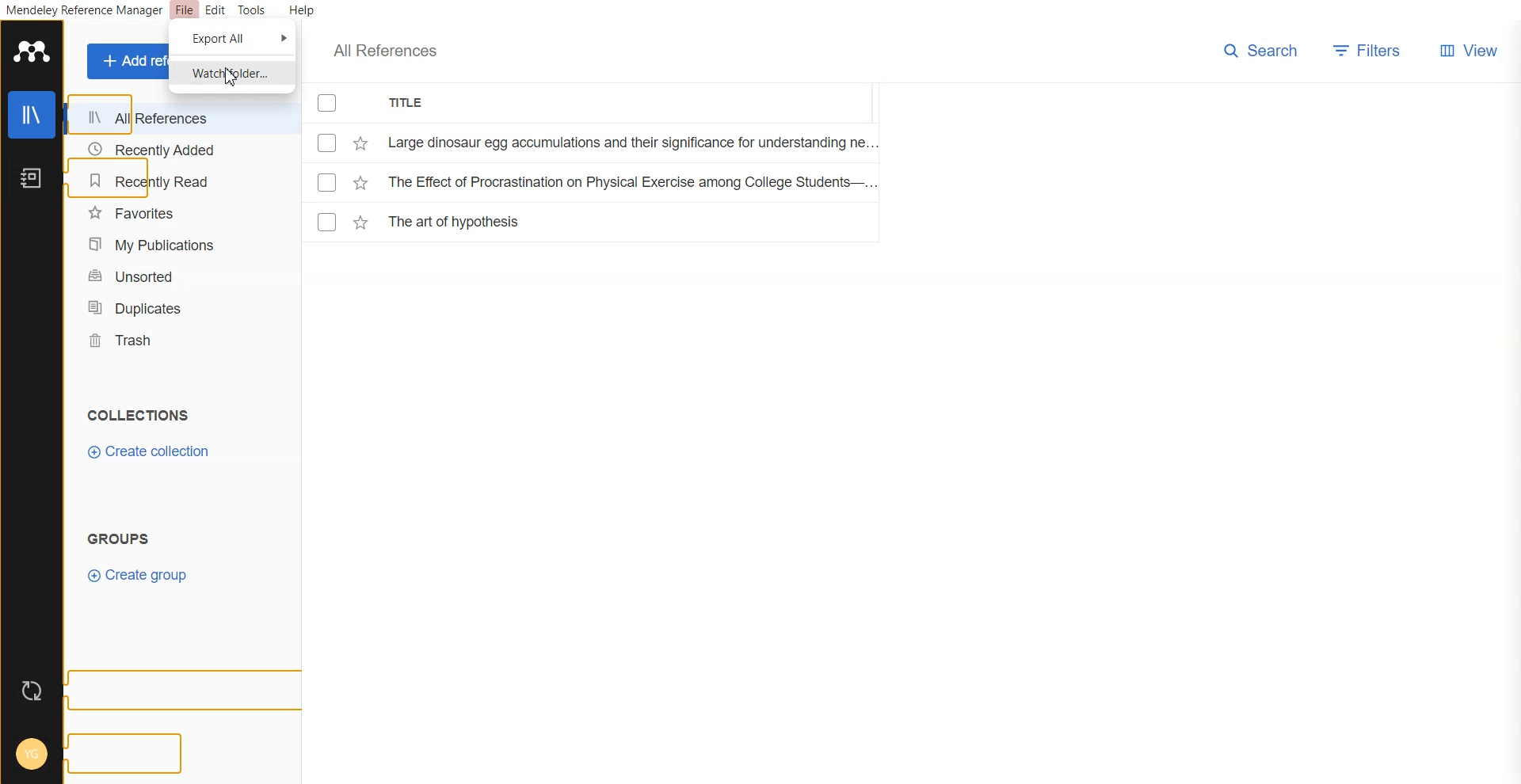 The height and width of the screenshot is (784, 1521). What do you see at coordinates (31, 754) in the screenshot?
I see `Account` at bounding box center [31, 754].